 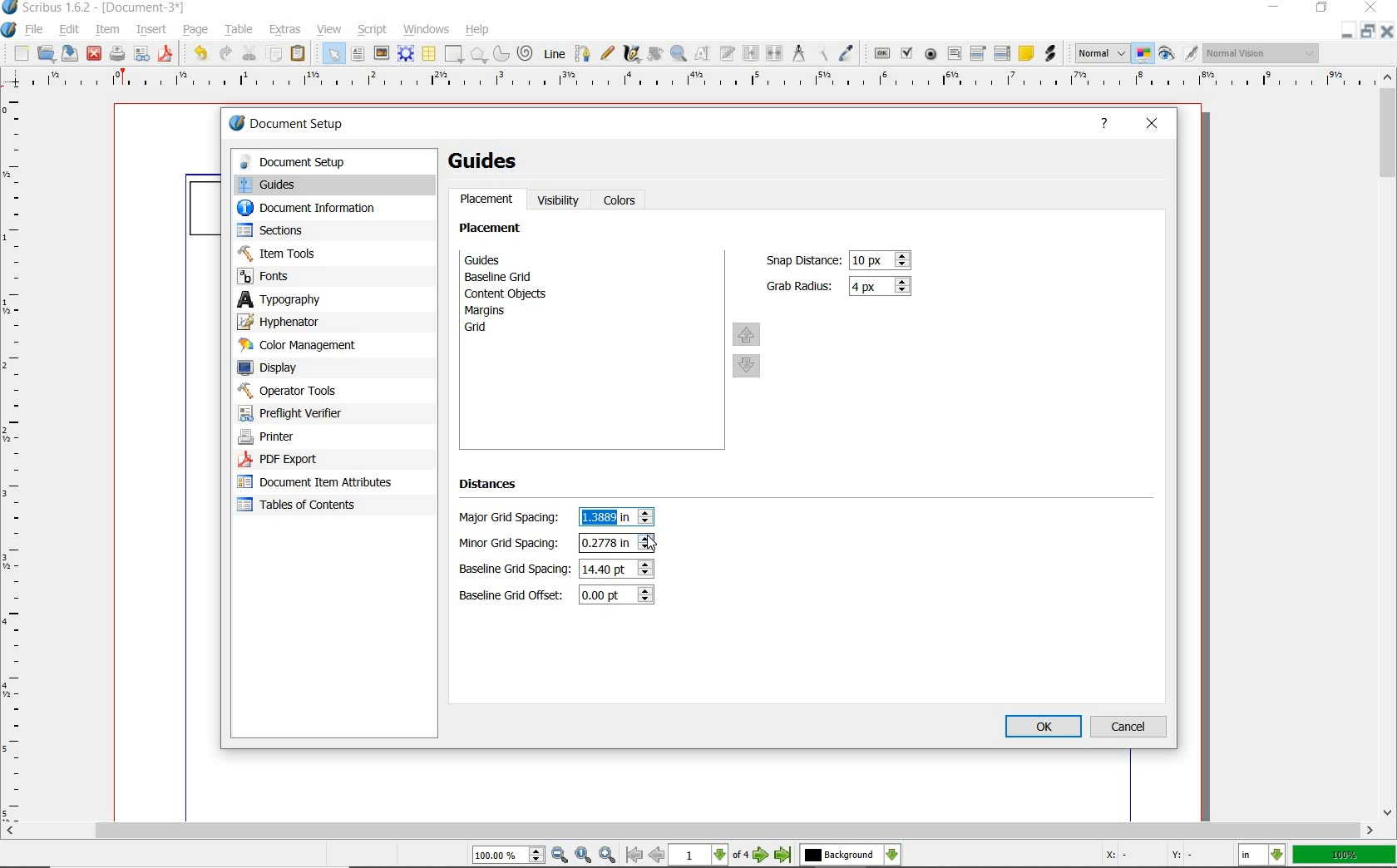 What do you see at coordinates (763, 856) in the screenshot?
I see `go to next page` at bounding box center [763, 856].